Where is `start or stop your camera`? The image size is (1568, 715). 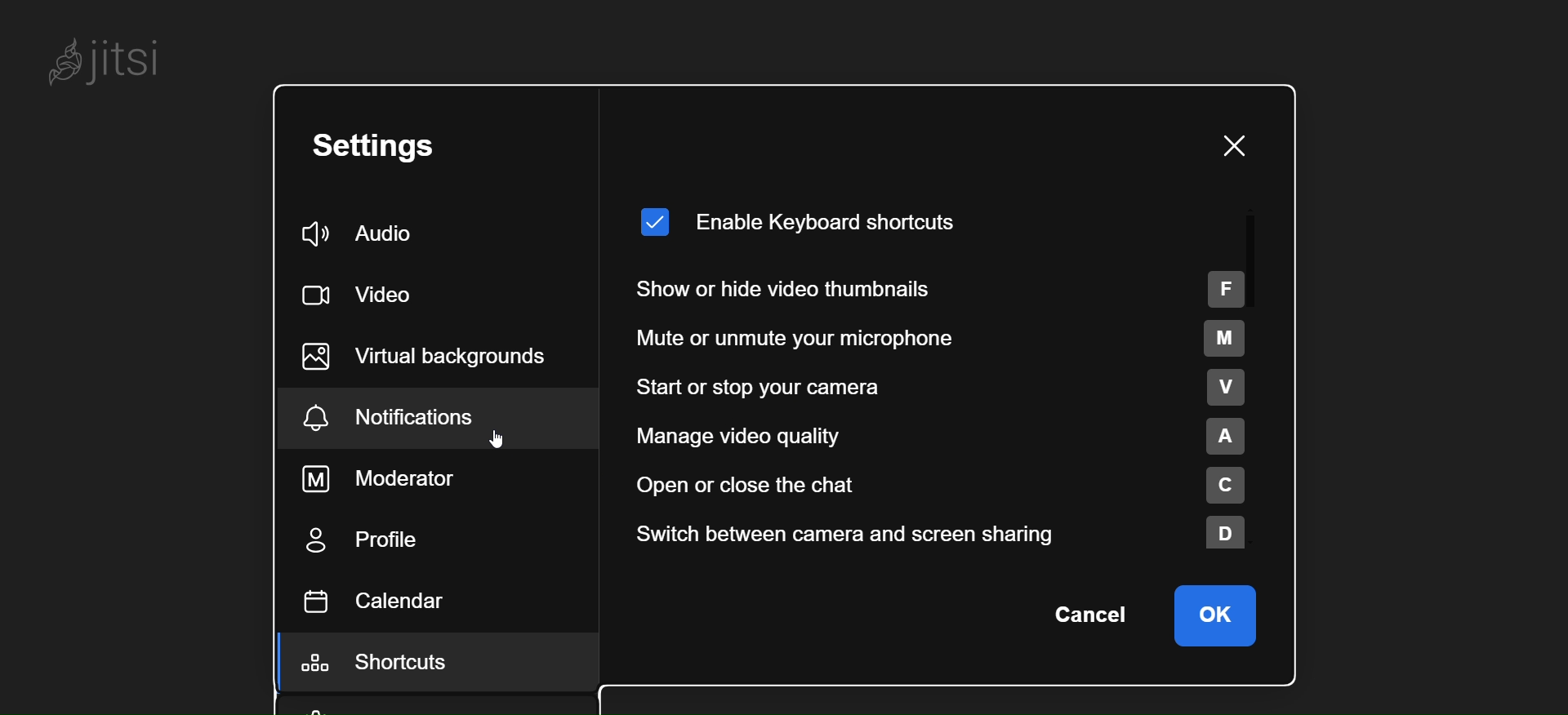
start or stop your camera is located at coordinates (939, 385).